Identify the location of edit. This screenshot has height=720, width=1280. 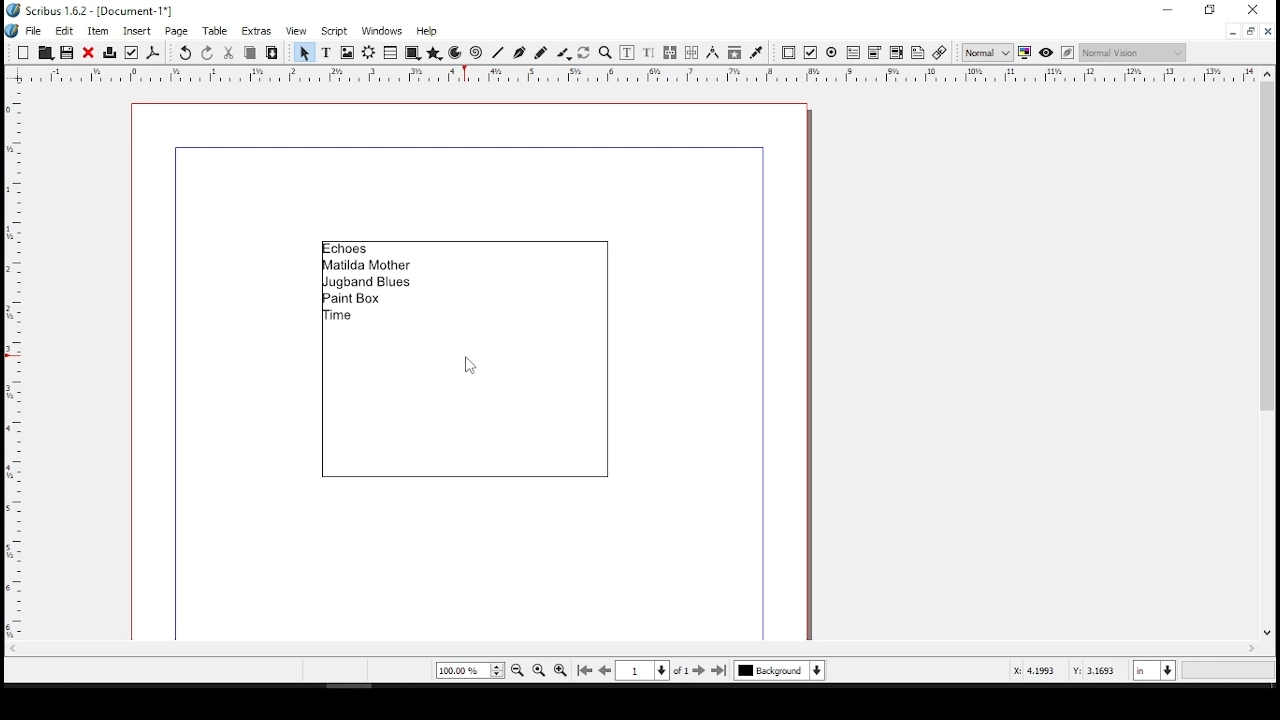
(65, 30).